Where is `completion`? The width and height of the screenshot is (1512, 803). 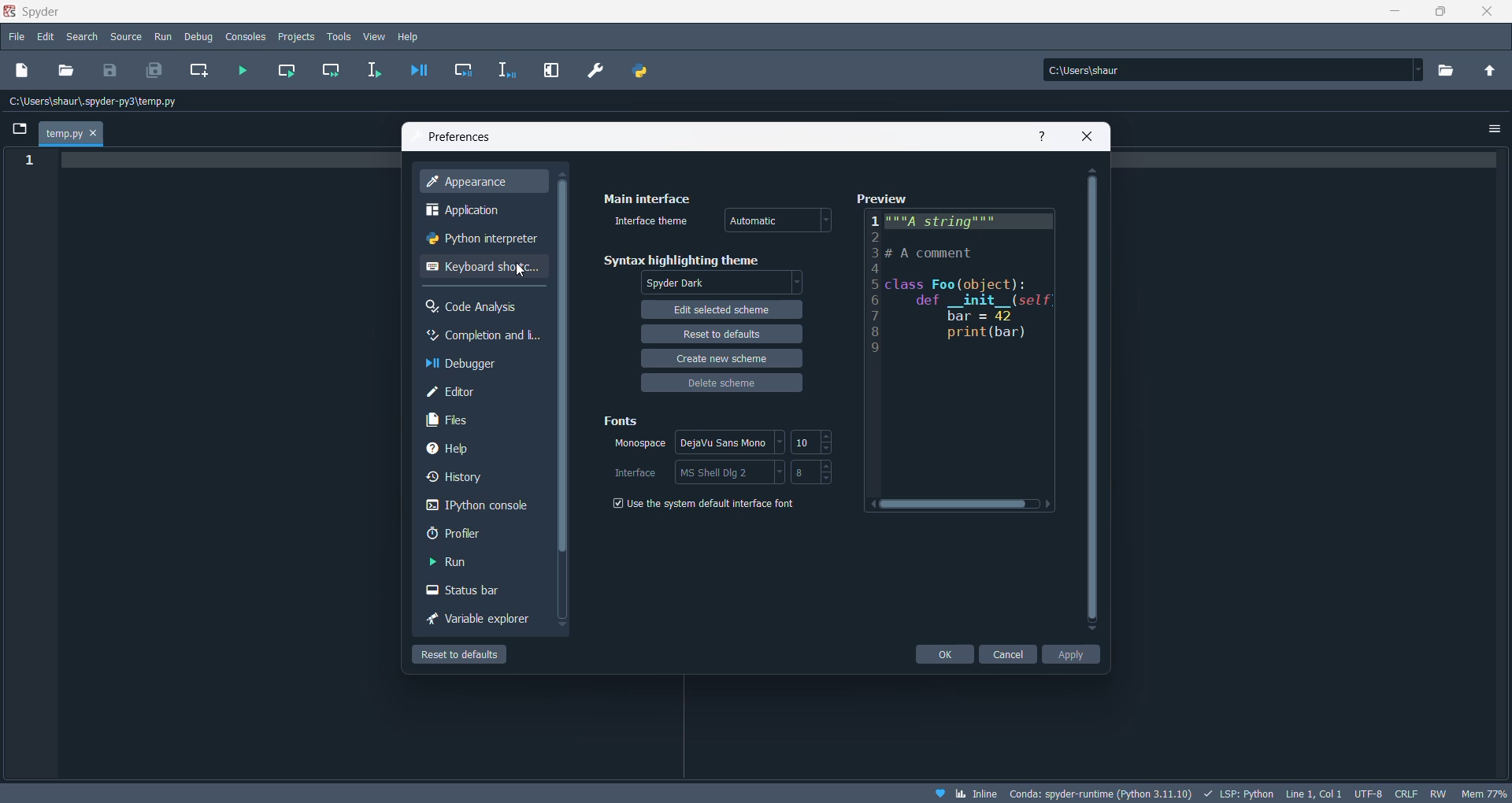 completion is located at coordinates (481, 336).